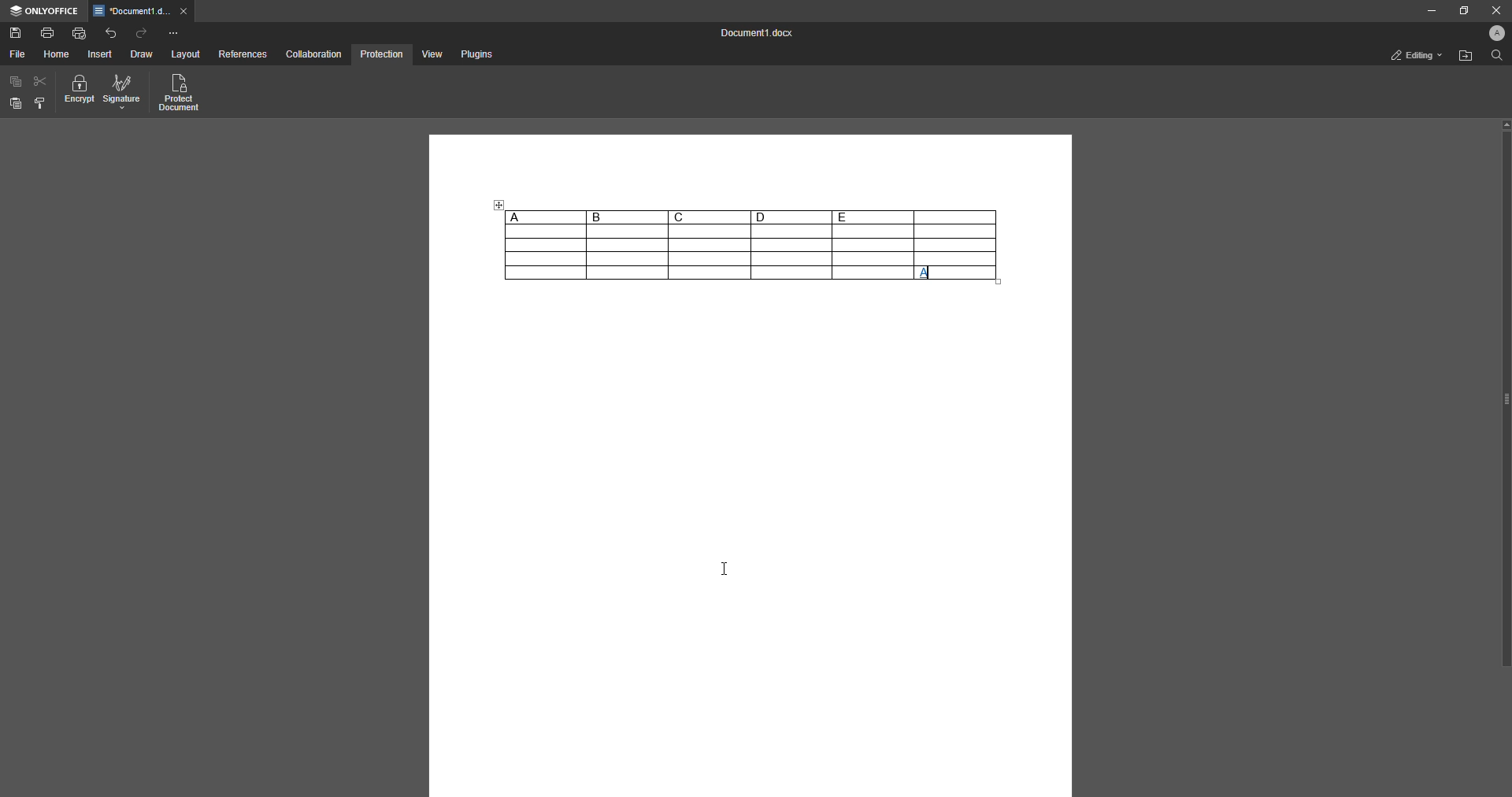 The image size is (1512, 797). What do you see at coordinates (1493, 10) in the screenshot?
I see `Close` at bounding box center [1493, 10].